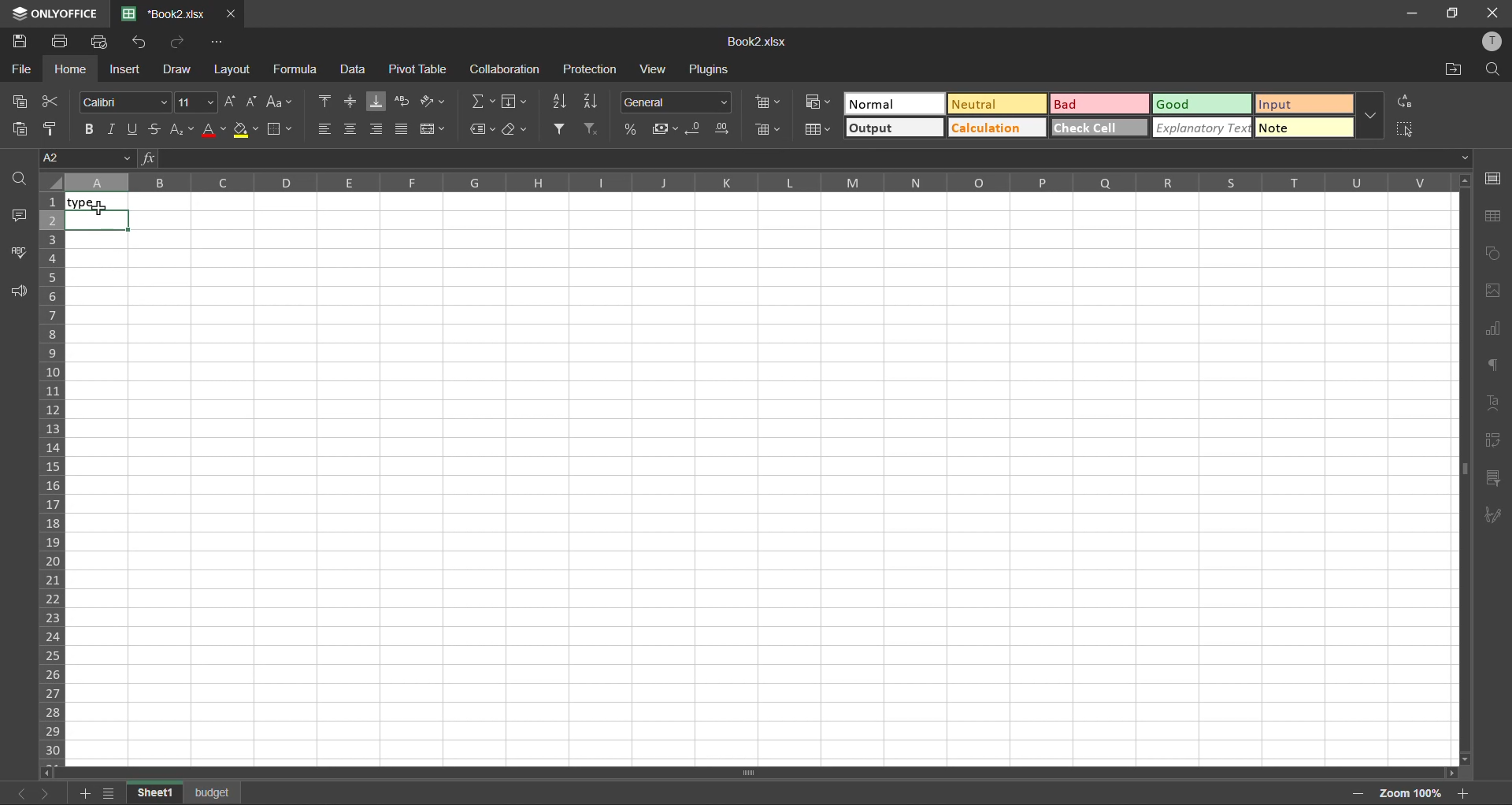 The width and height of the screenshot is (1512, 805). What do you see at coordinates (141, 43) in the screenshot?
I see `undo` at bounding box center [141, 43].